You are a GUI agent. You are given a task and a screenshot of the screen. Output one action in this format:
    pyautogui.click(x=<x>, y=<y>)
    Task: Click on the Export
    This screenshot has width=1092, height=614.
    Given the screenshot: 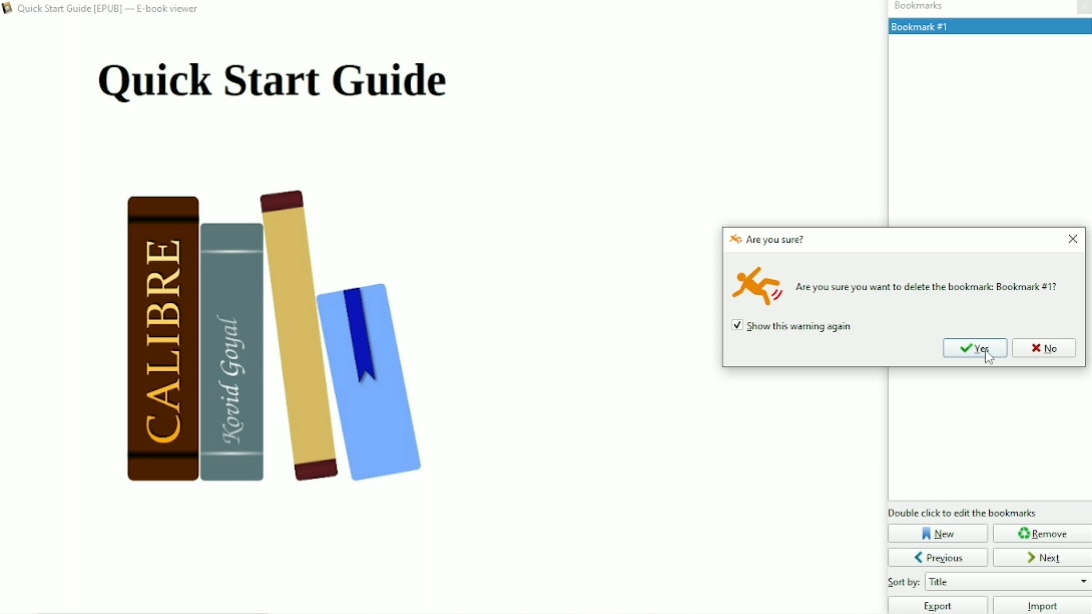 What is the action you would take?
    pyautogui.click(x=938, y=605)
    